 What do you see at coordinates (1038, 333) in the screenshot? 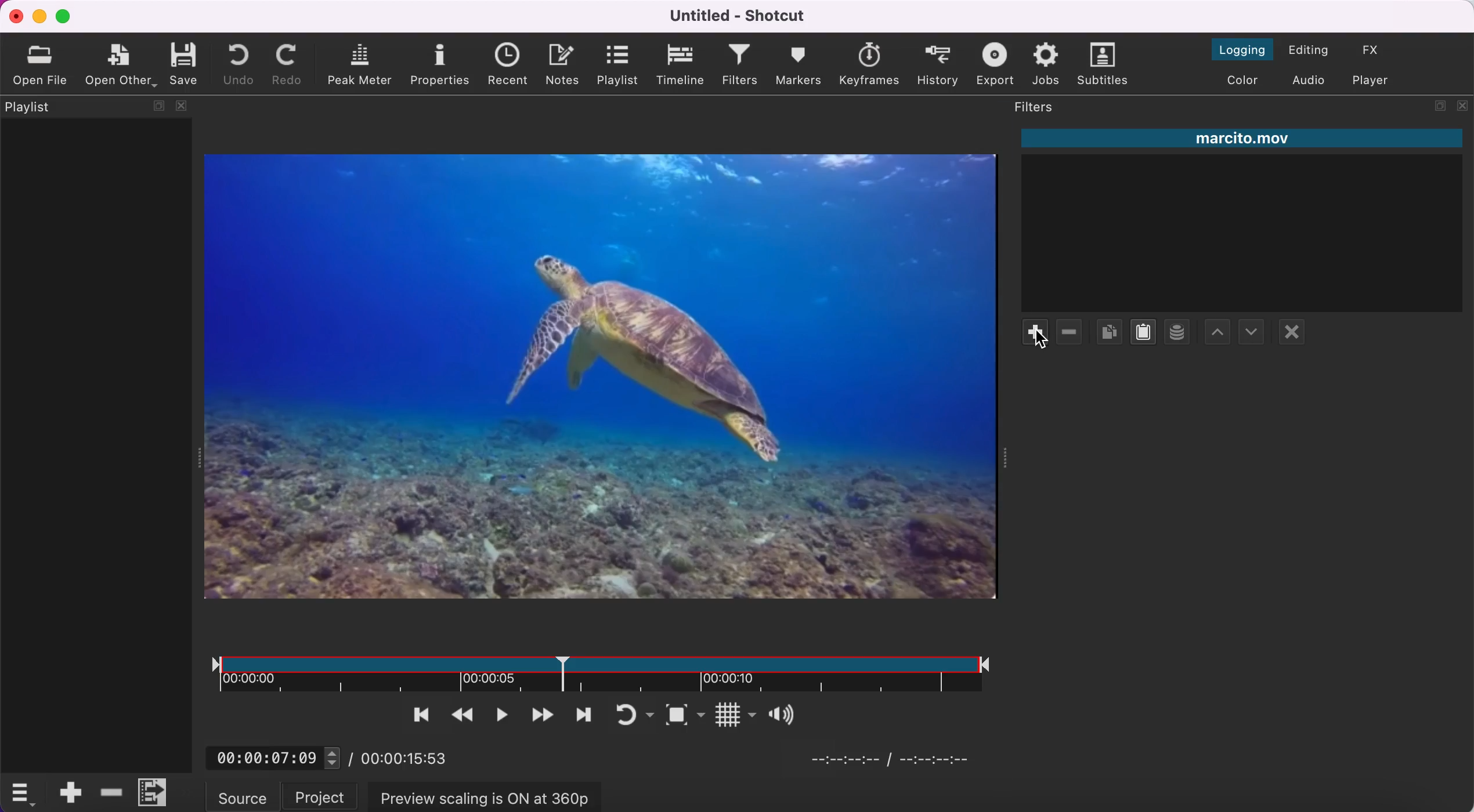
I see `add filte` at bounding box center [1038, 333].